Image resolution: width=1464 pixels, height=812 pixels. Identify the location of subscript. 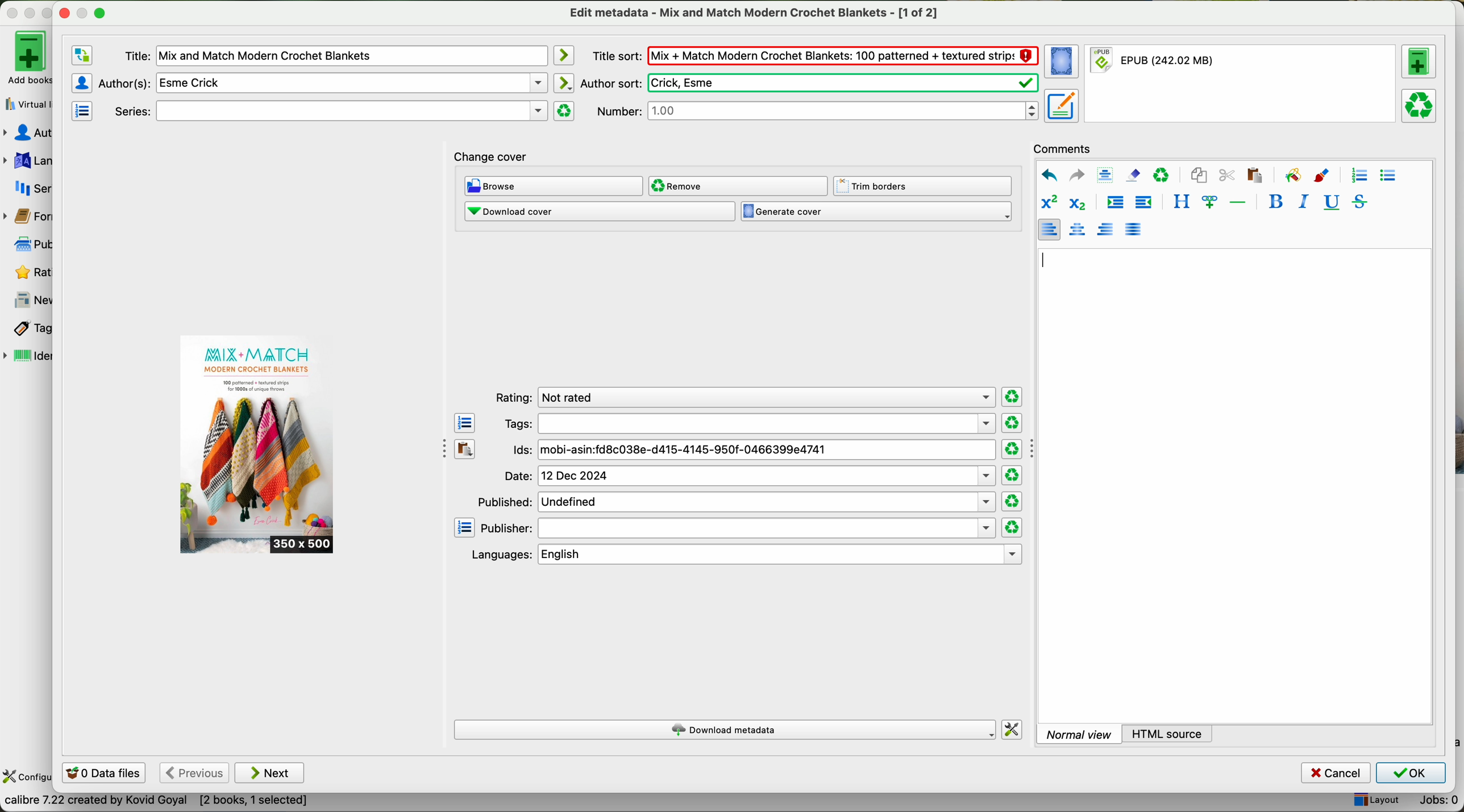
(1075, 202).